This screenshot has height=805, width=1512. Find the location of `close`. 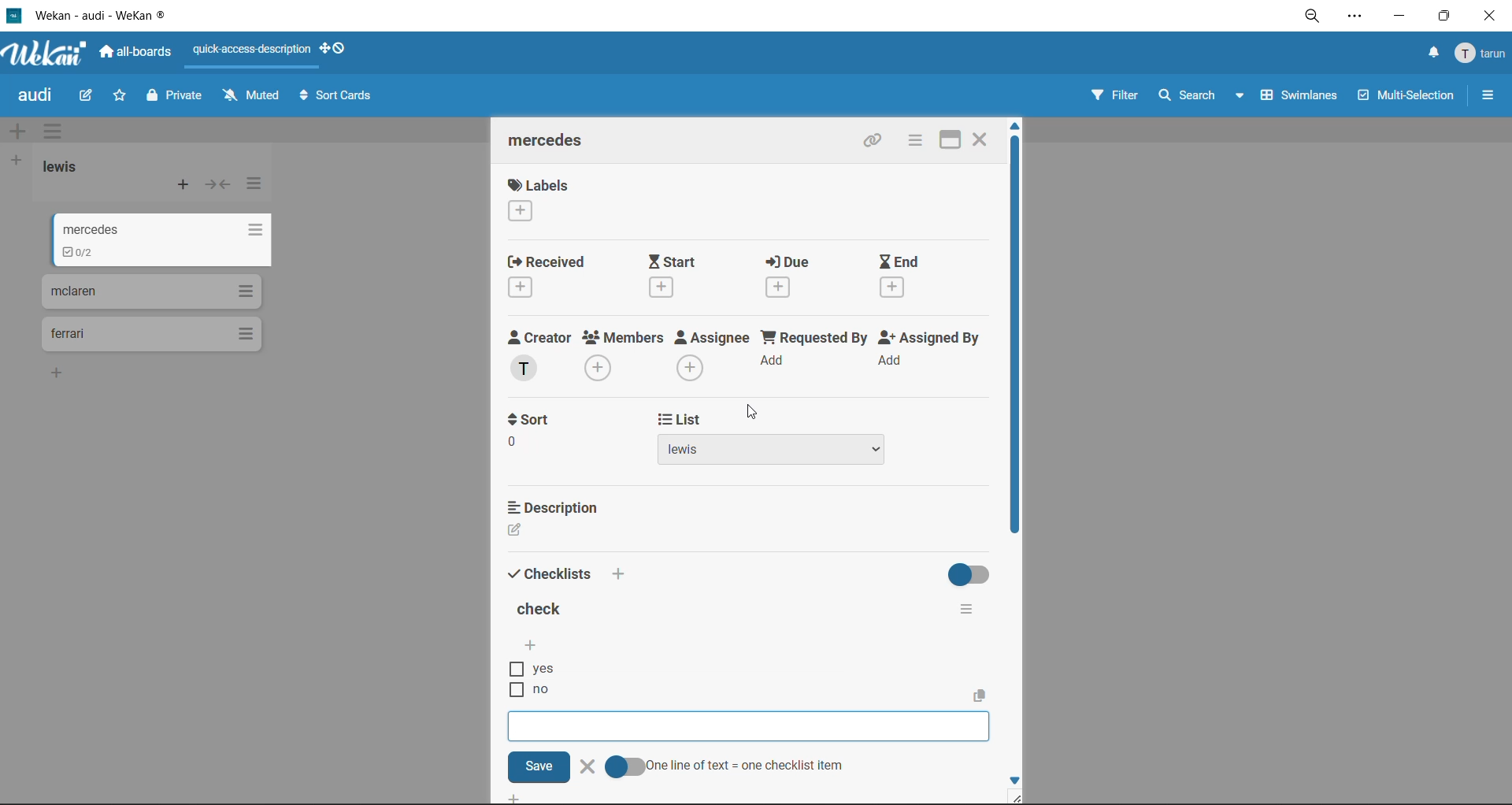

close is located at coordinates (981, 137).